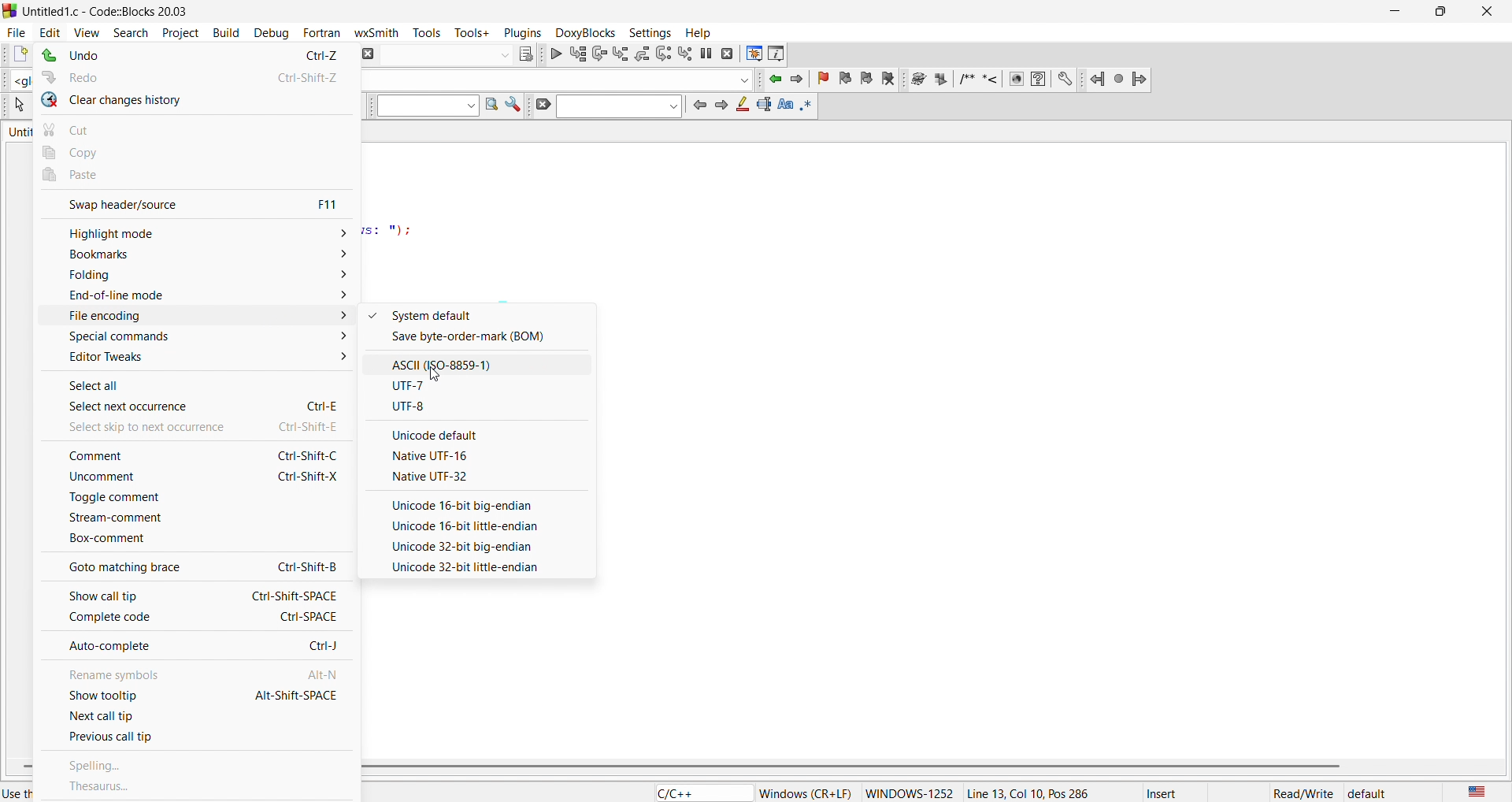  What do you see at coordinates (50, 31) in the screenshot?
I see `edit` at bounding box center [50, 31].